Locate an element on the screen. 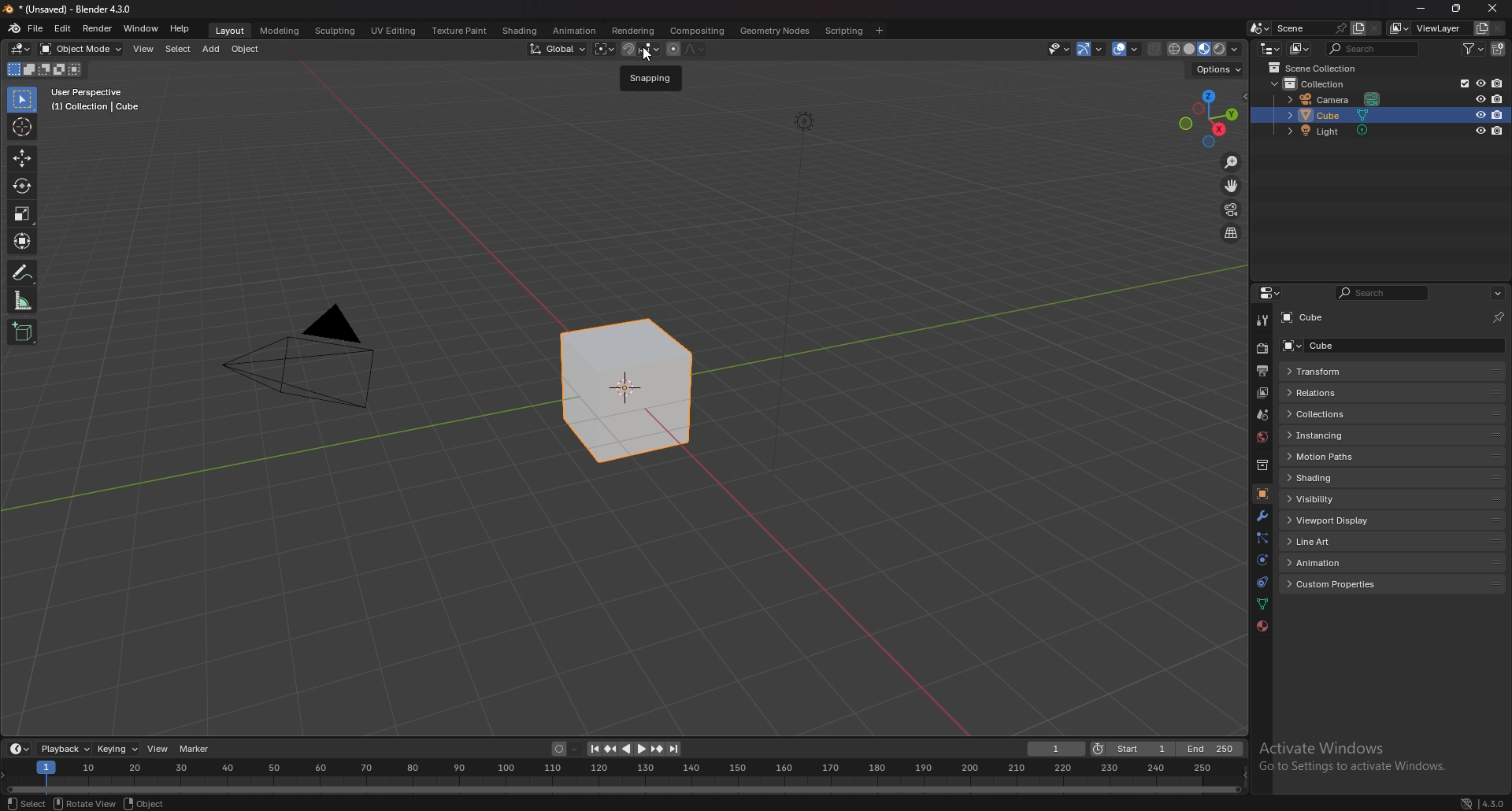 The image size is (1512, 811). add scene is located at coordinates (1358, 28).